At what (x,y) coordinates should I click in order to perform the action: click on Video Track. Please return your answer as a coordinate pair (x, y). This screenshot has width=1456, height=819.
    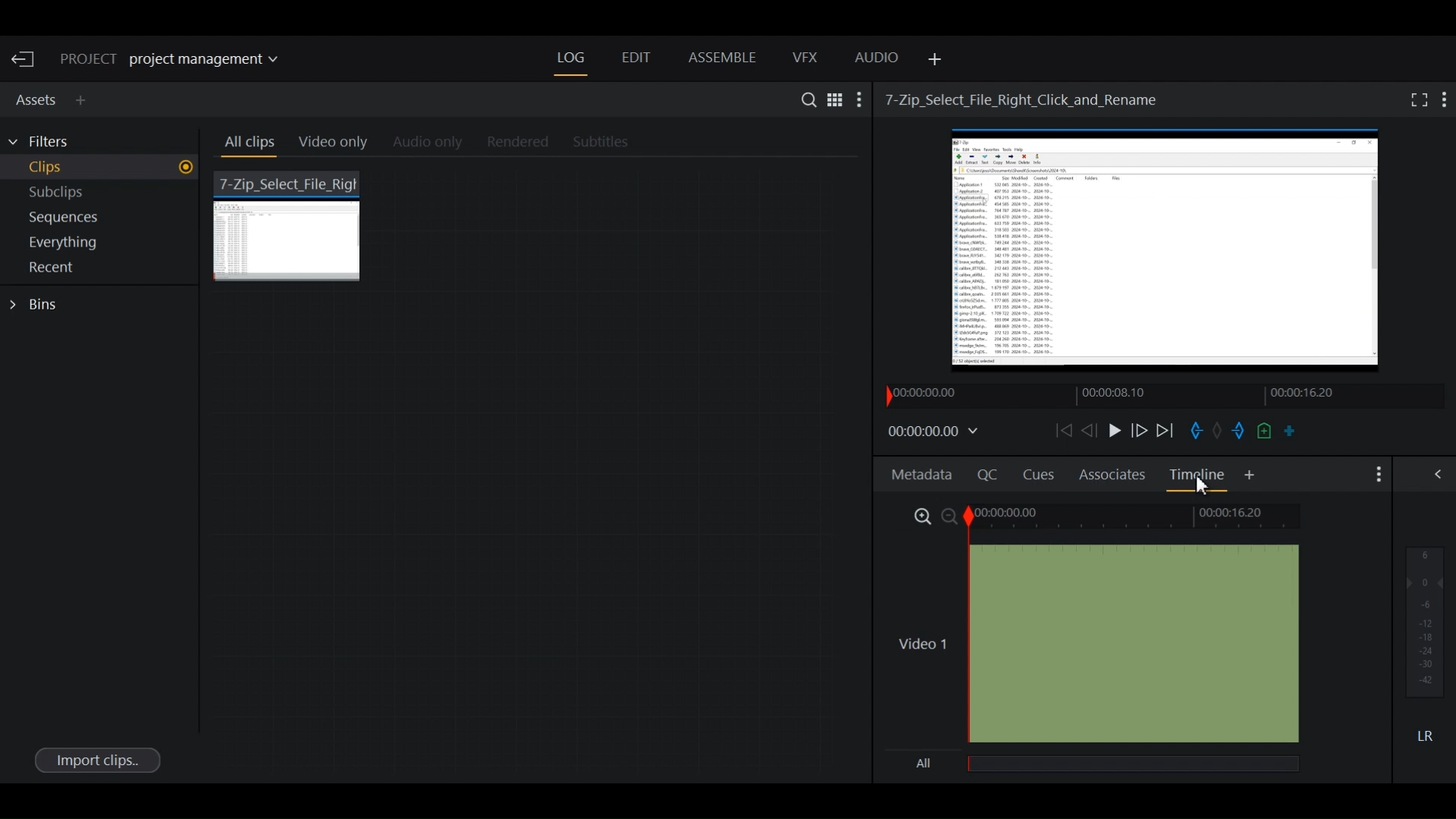
    Looking at the image, I should click on (1145, 645).